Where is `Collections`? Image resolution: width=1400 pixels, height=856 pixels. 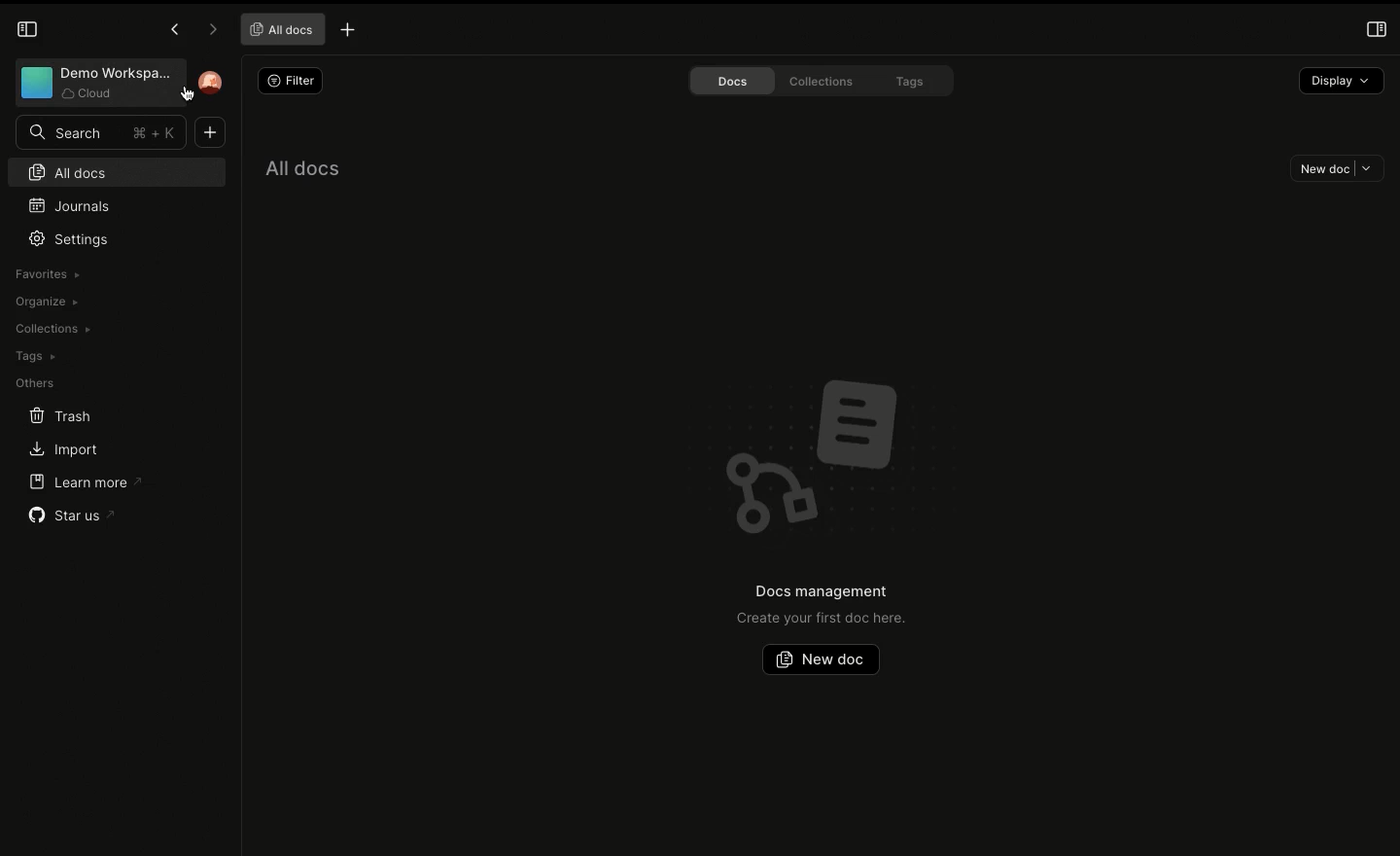
Collections is located at coordinates (830, 83).